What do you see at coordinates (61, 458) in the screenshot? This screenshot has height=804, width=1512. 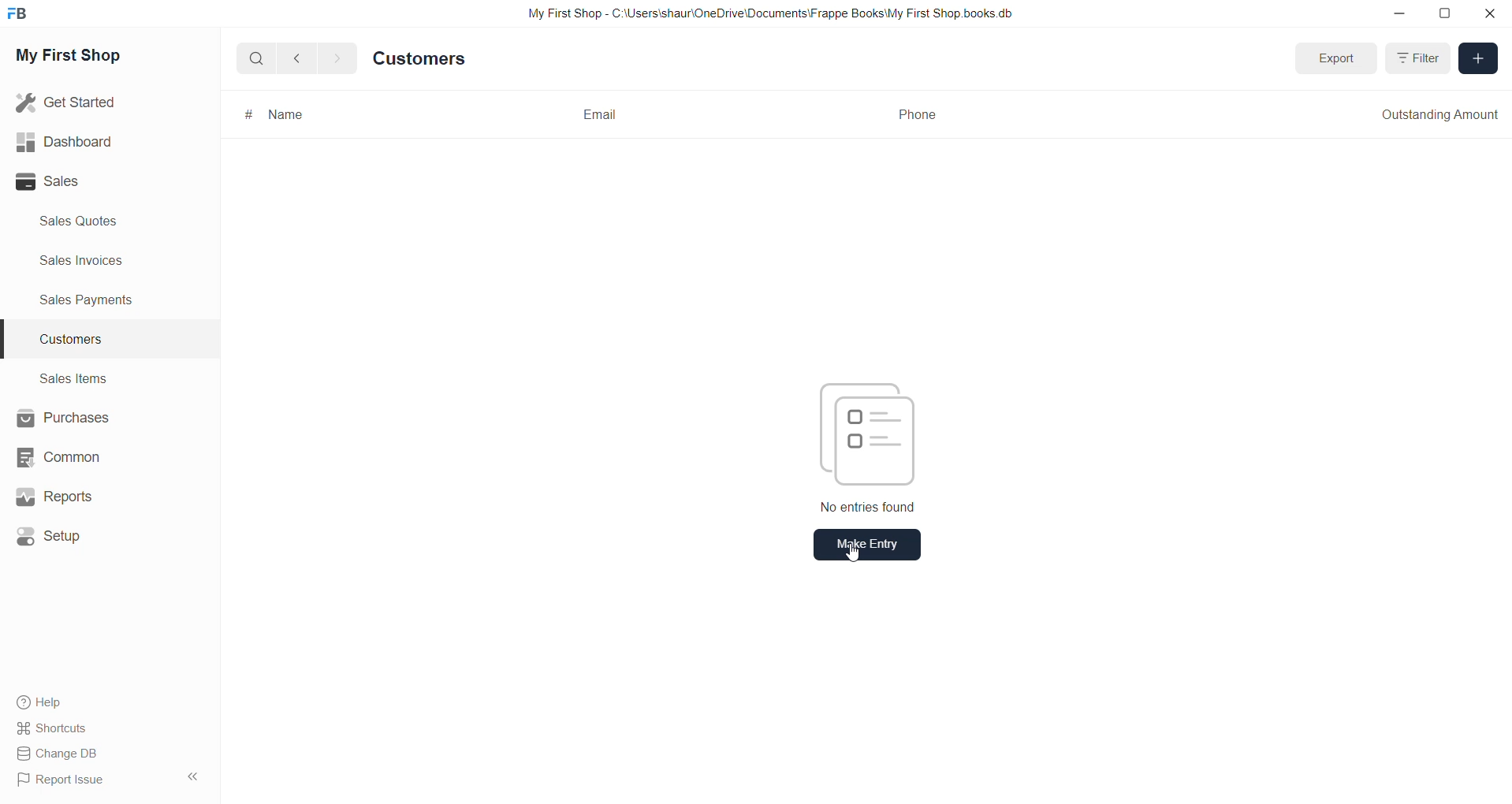 I see `Common` at bounding box center [61, 458].